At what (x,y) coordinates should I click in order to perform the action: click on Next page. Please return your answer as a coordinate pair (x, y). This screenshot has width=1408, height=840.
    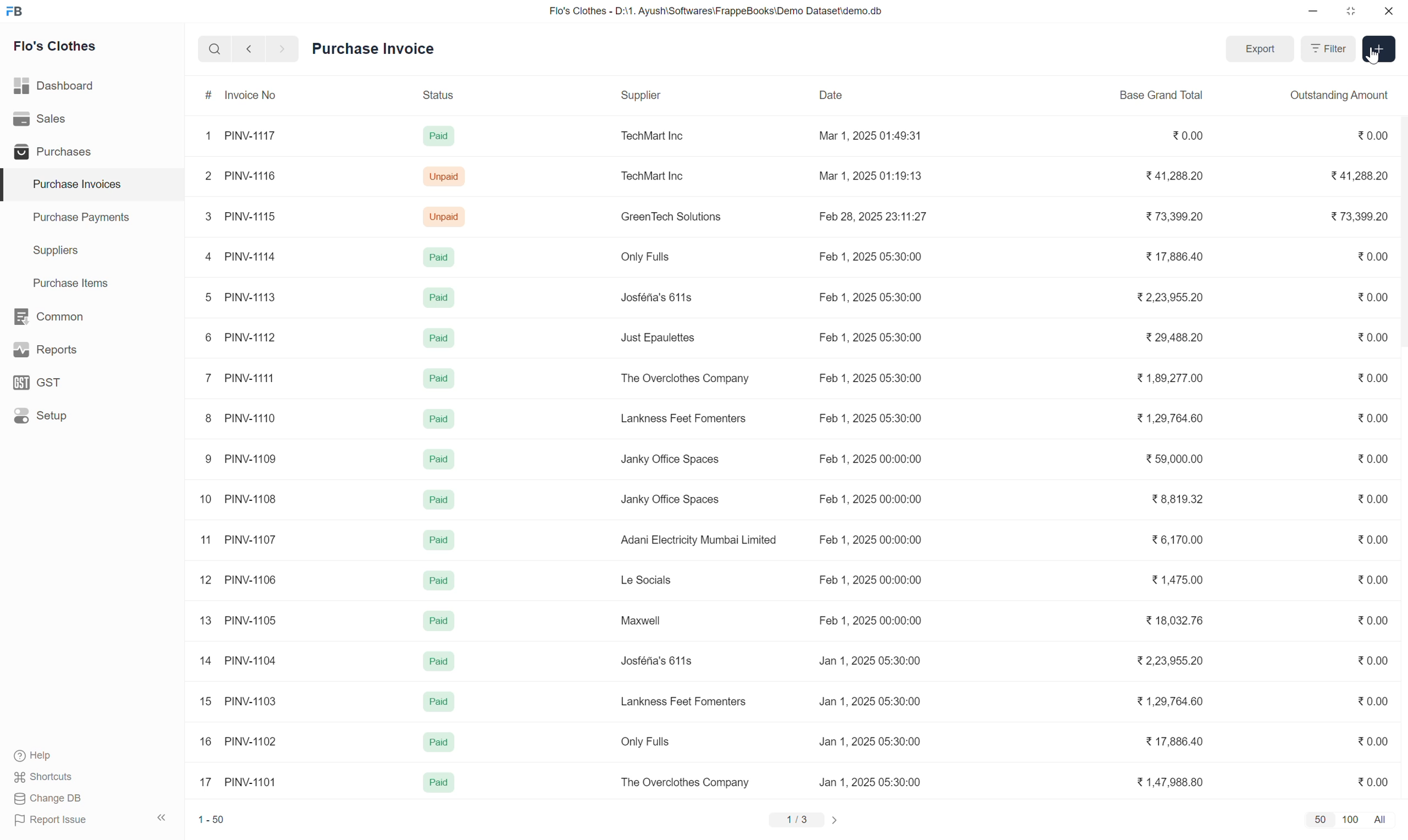
    Looking at the image, I should click on (834, 820).